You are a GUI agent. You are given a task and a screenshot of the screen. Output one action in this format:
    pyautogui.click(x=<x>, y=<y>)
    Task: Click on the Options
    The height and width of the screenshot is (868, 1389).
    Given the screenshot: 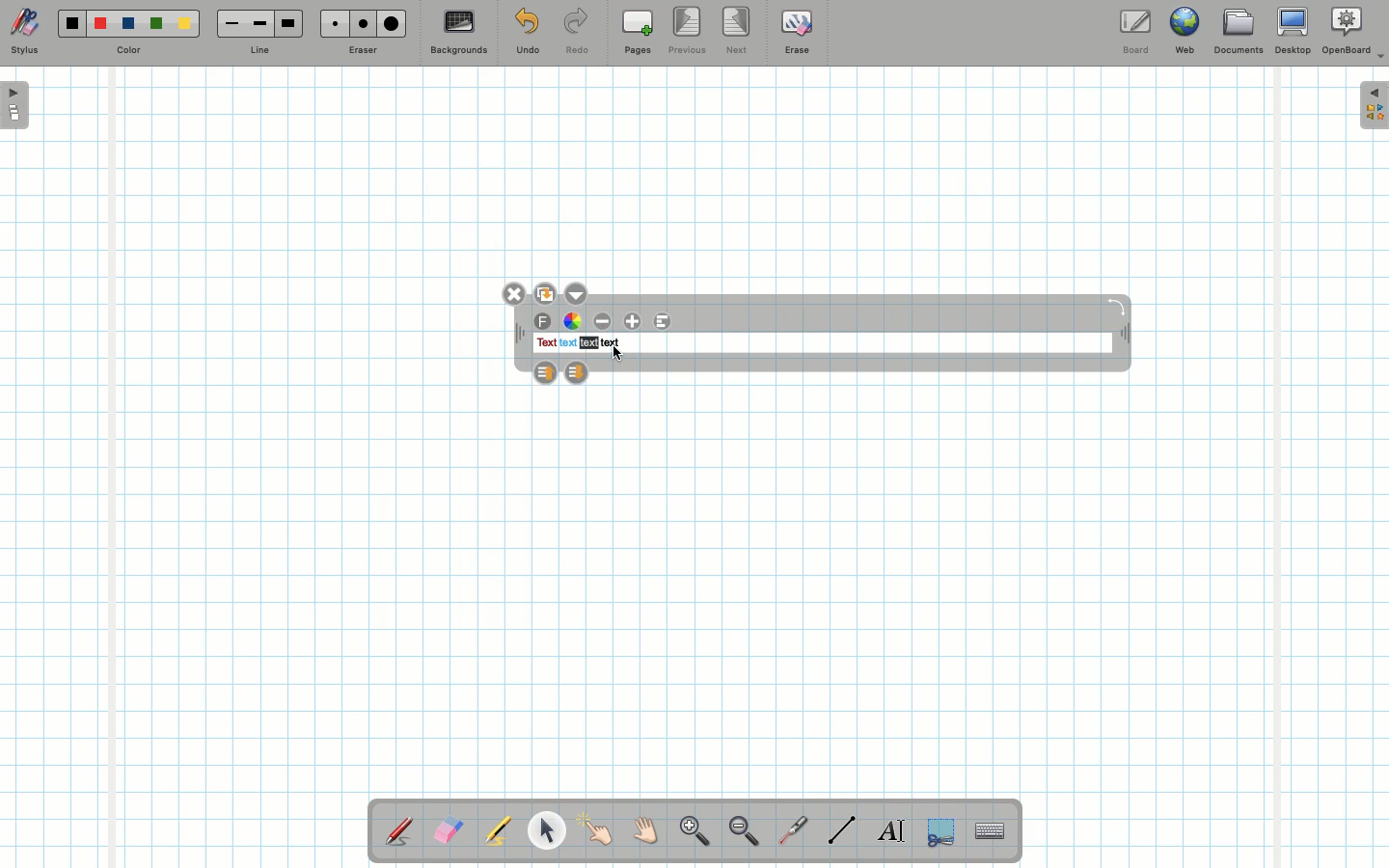 What is the action you would take?
    pyautogui.click(x=581, y=292)
    